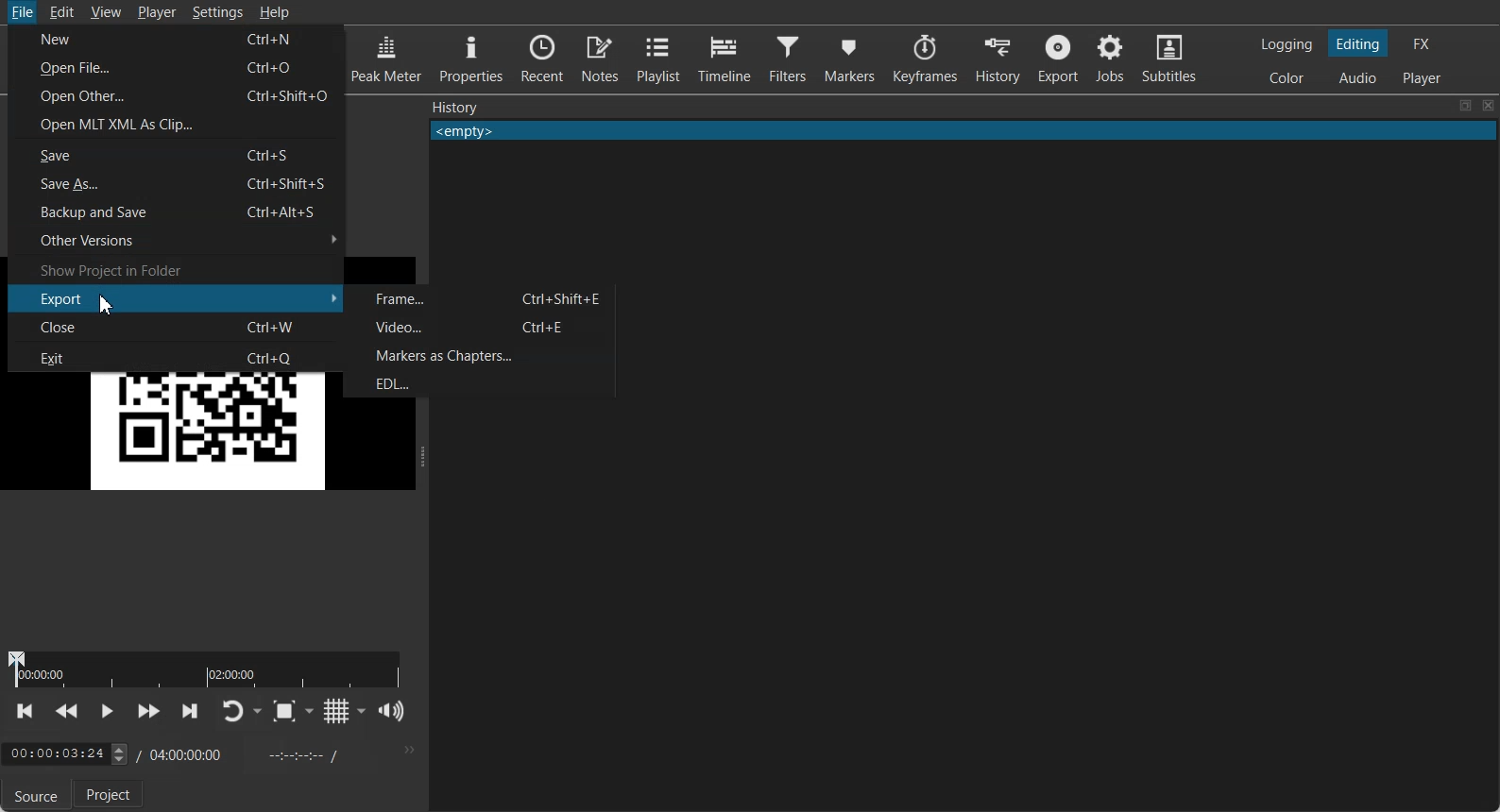 Image resolution: width=1500 pixels, height=812 pixels. I want to click on Cursor, so click(107, 305).